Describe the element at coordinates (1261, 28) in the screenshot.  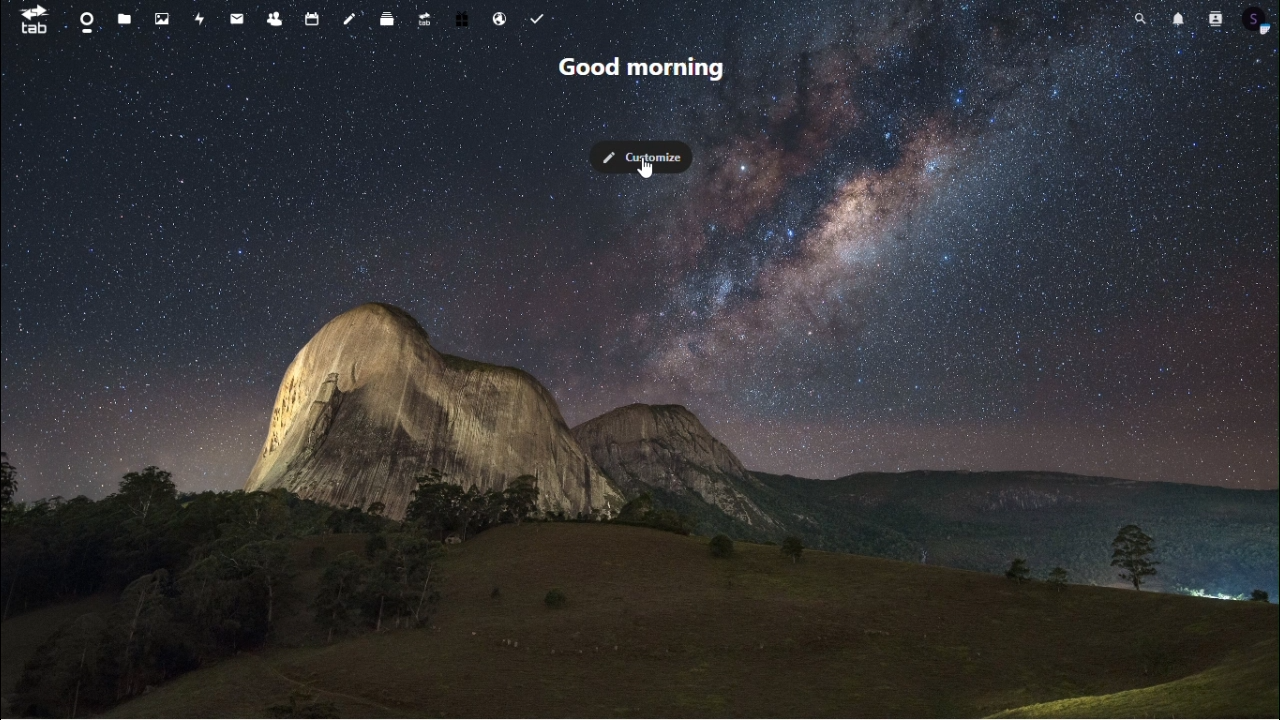
I see `profile` at that location.